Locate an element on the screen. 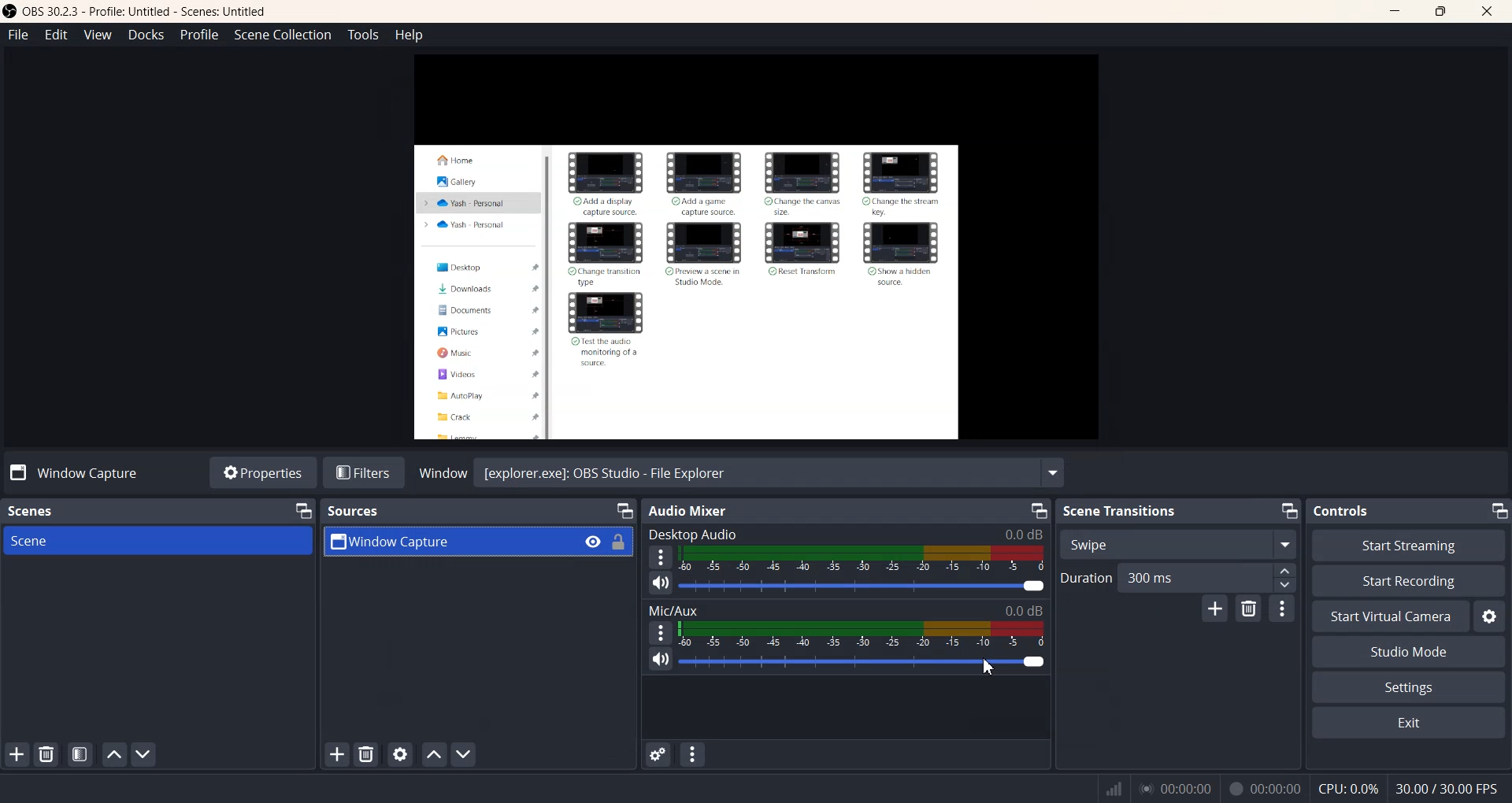 The width and height of the screenshot is (1512, 803). Window Capture is located at coordinates (446, 542).